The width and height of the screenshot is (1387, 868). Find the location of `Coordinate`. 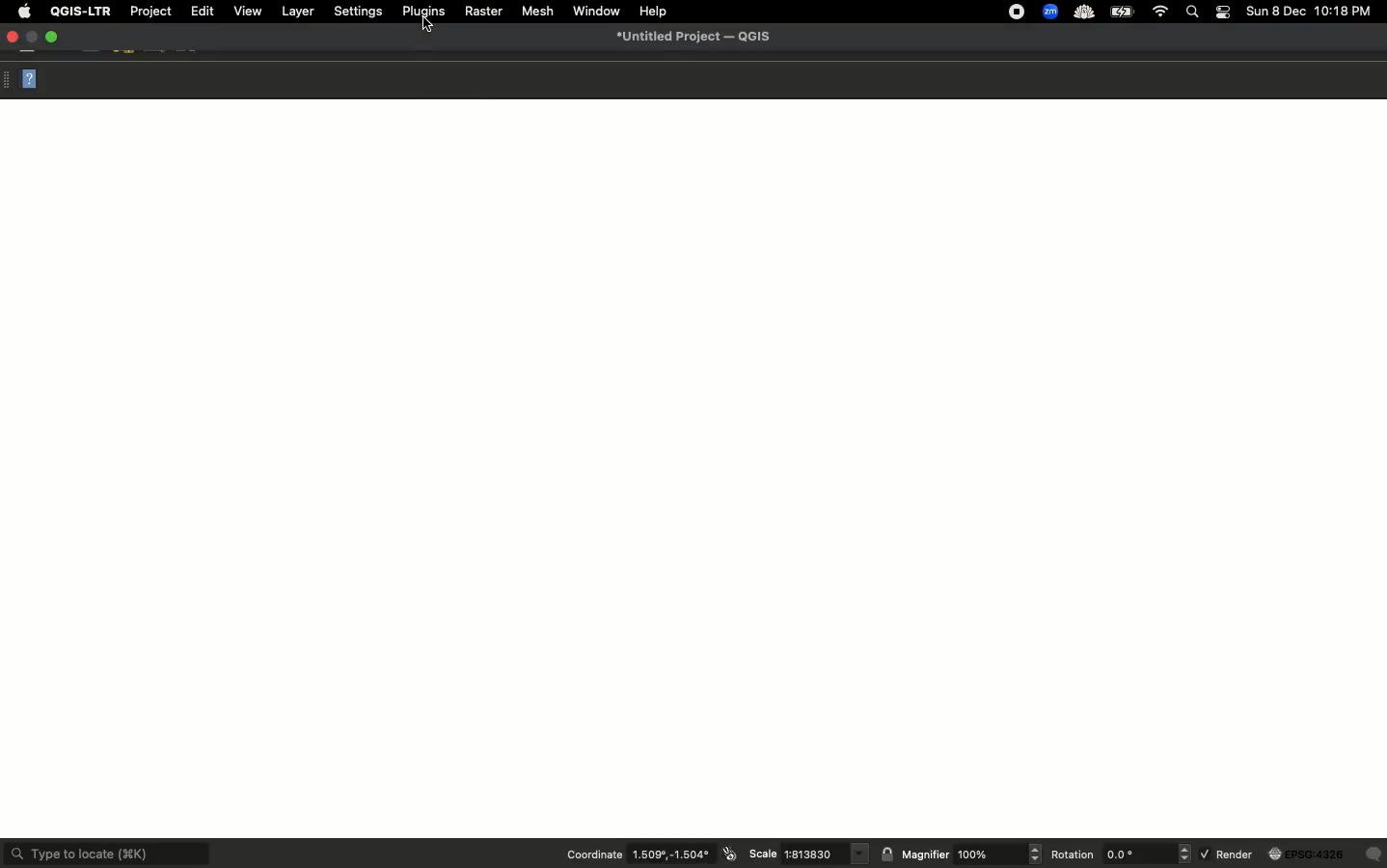

Coordinate is located at coordinates (650, 854).